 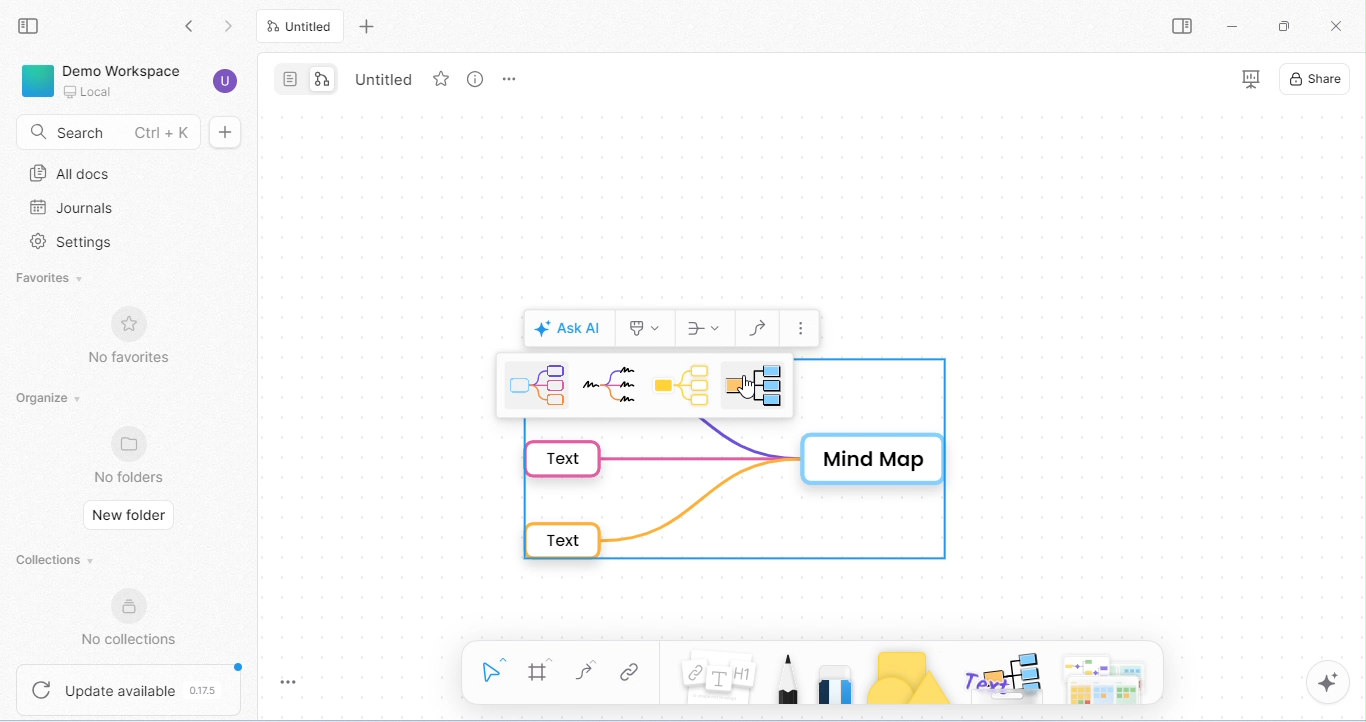 I want to click on AI, so click(x=1328, y=682).